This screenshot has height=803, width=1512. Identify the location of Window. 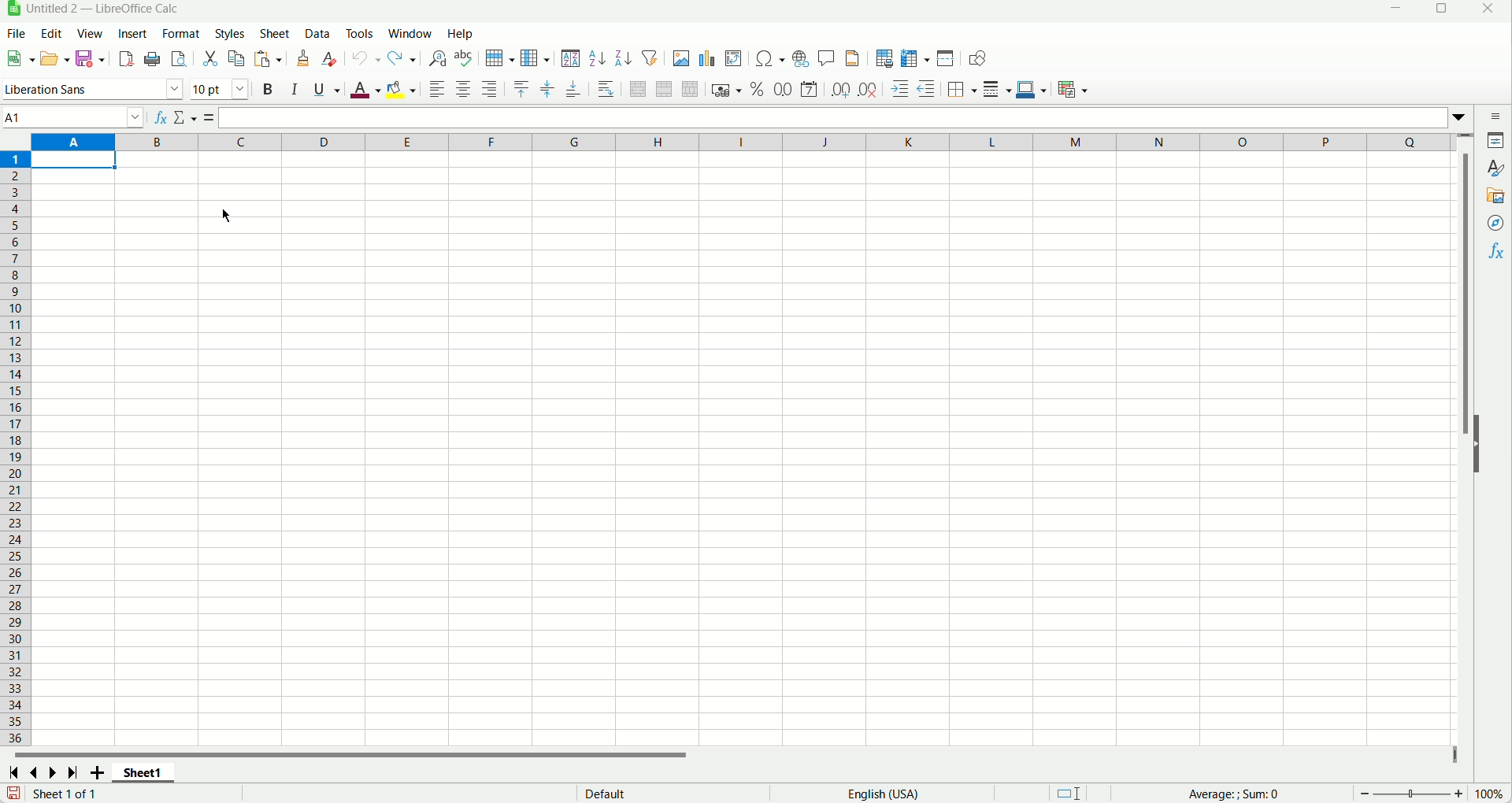
(410, 33).